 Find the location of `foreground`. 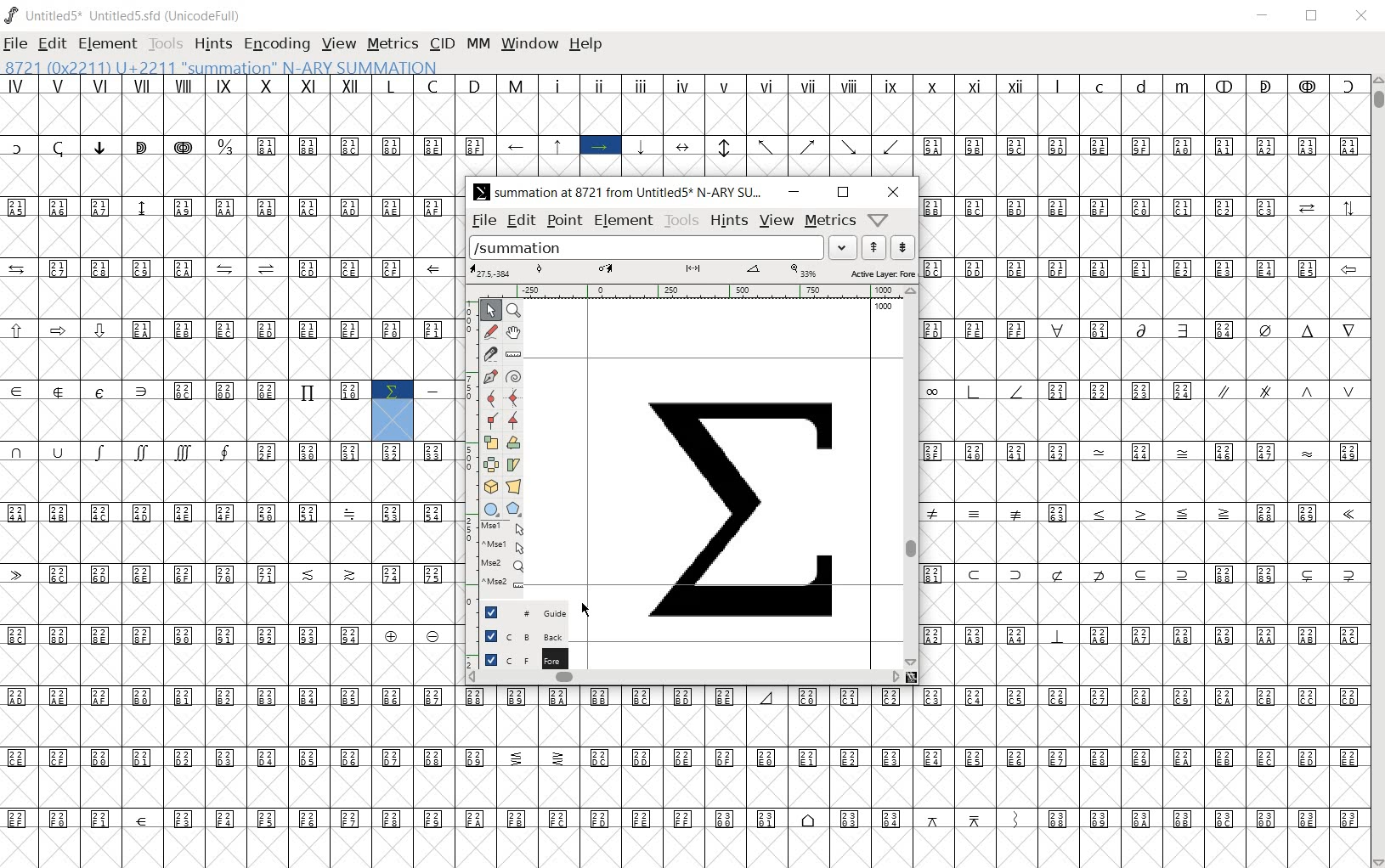

foreground is located at coordinates (516, 657).